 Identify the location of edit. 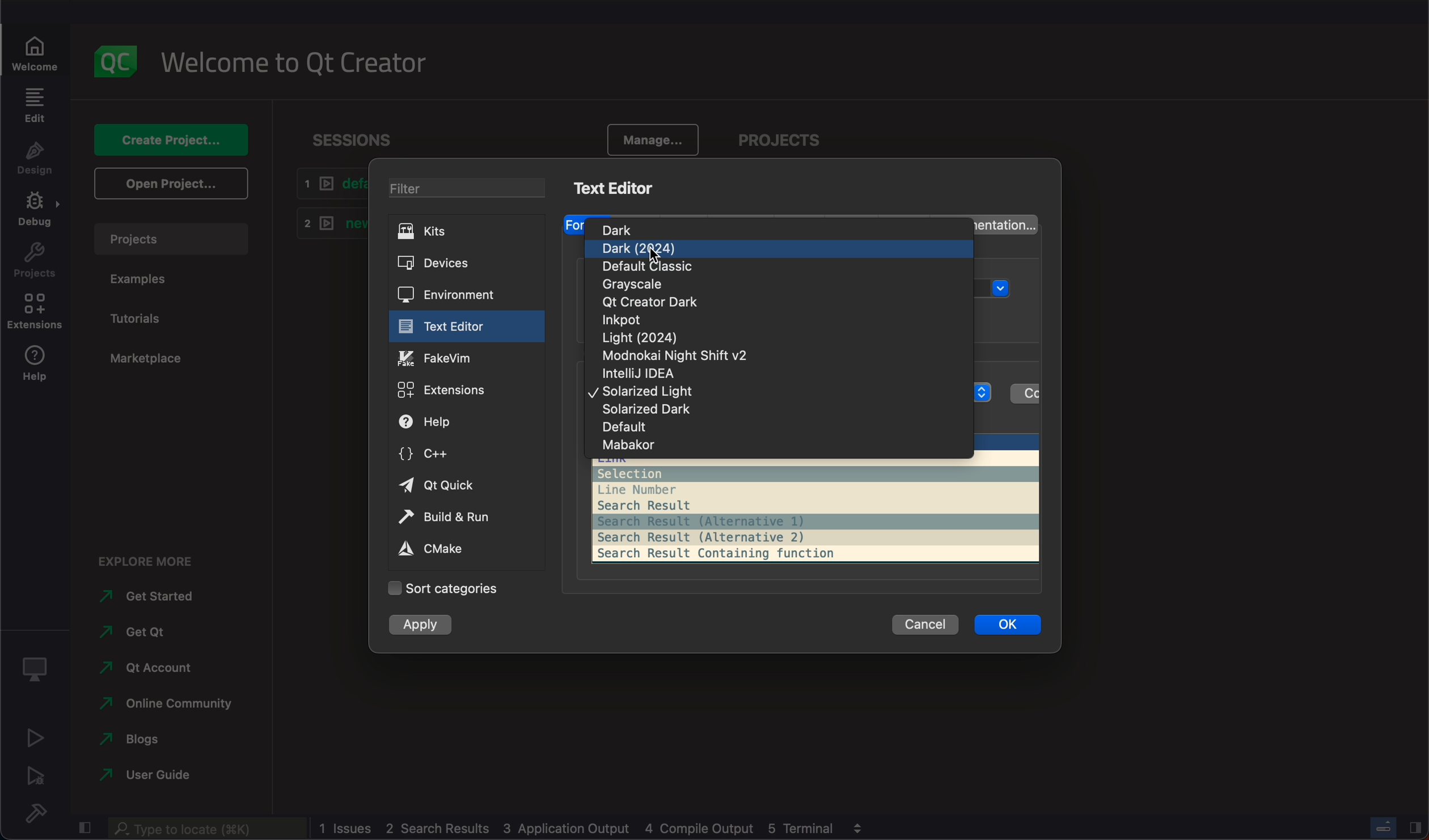
(34, 106).